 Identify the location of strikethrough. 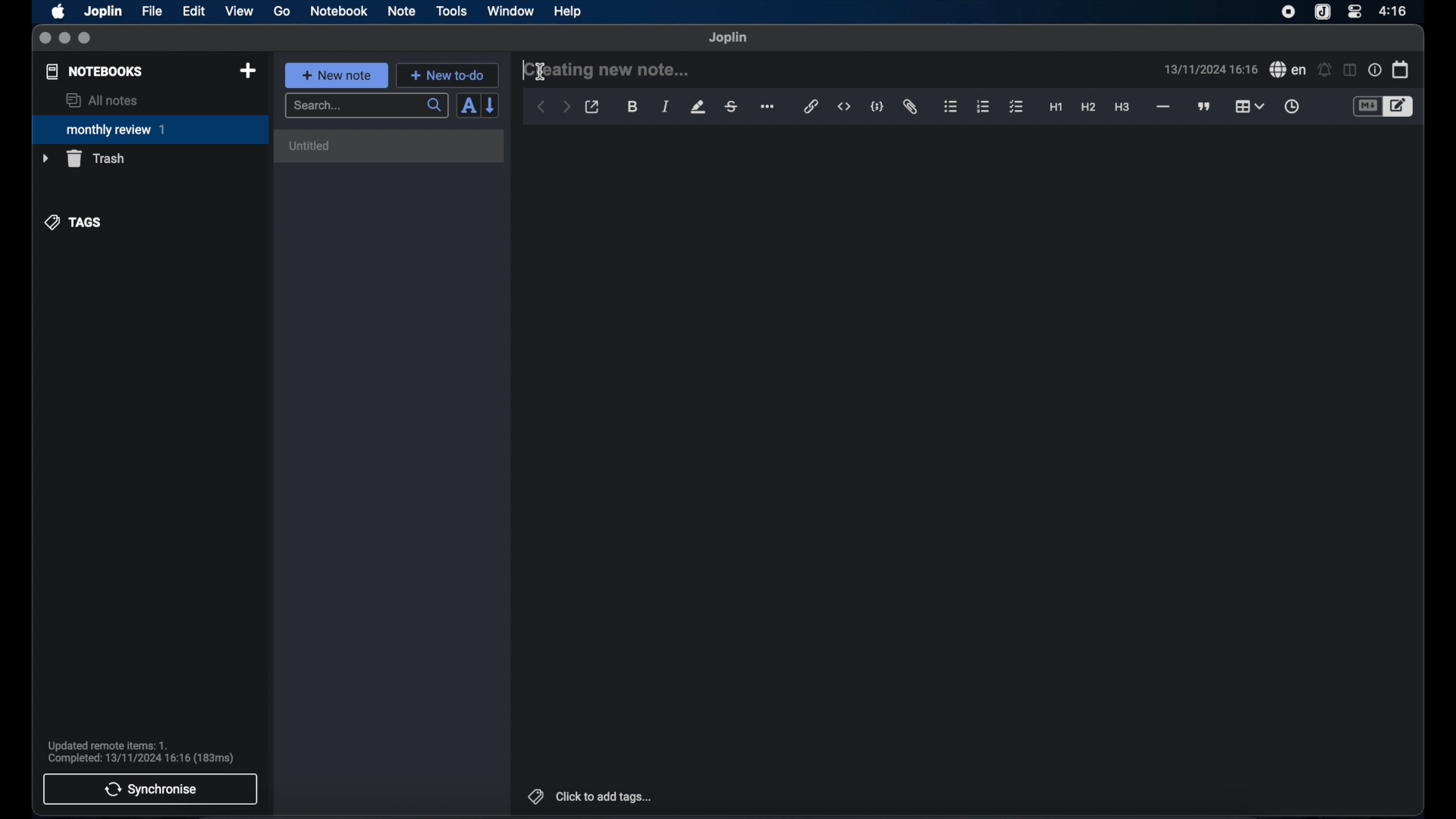
(730, 107).